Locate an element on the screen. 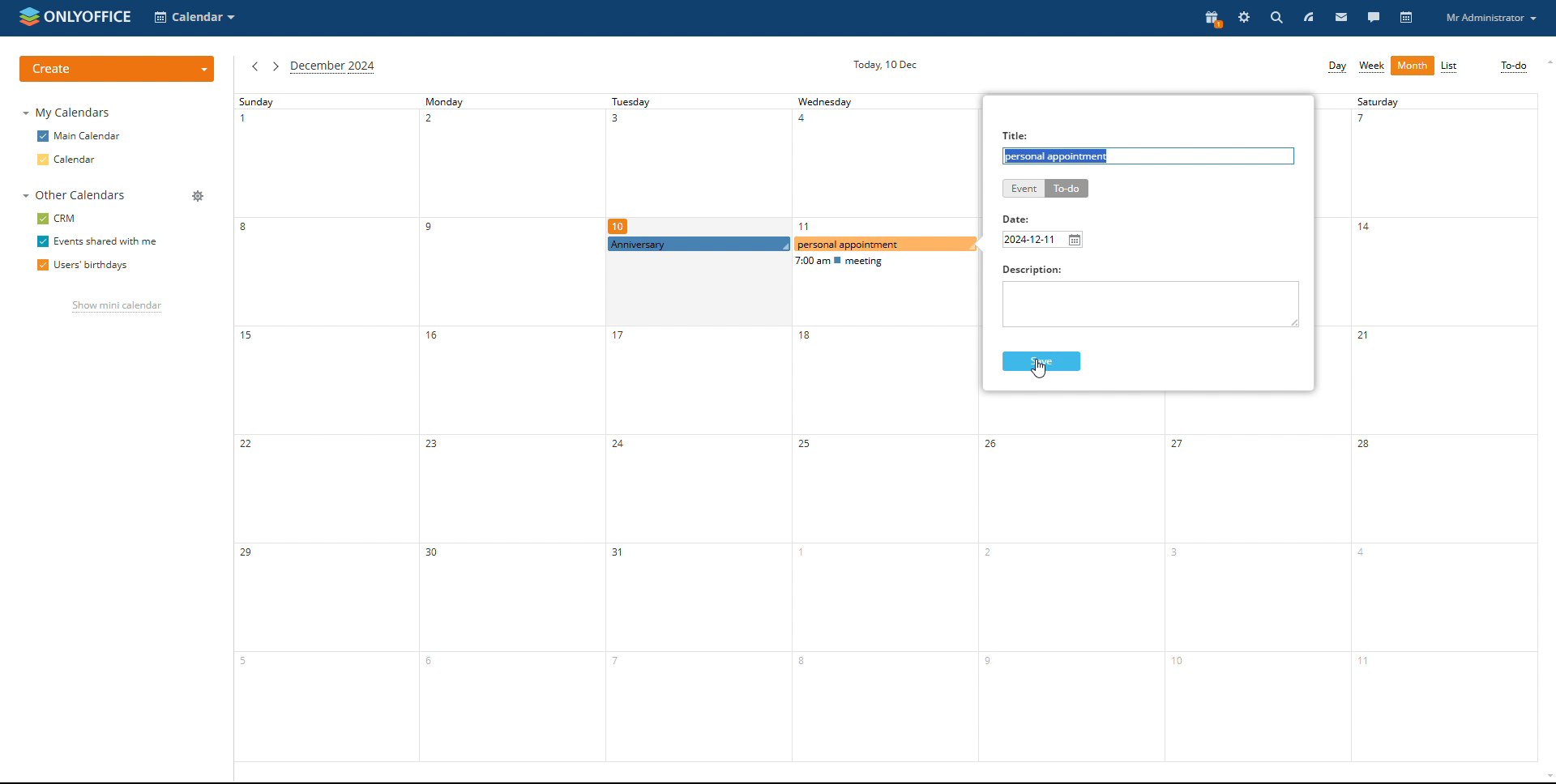  calendar is located at coordinates (80, 159).